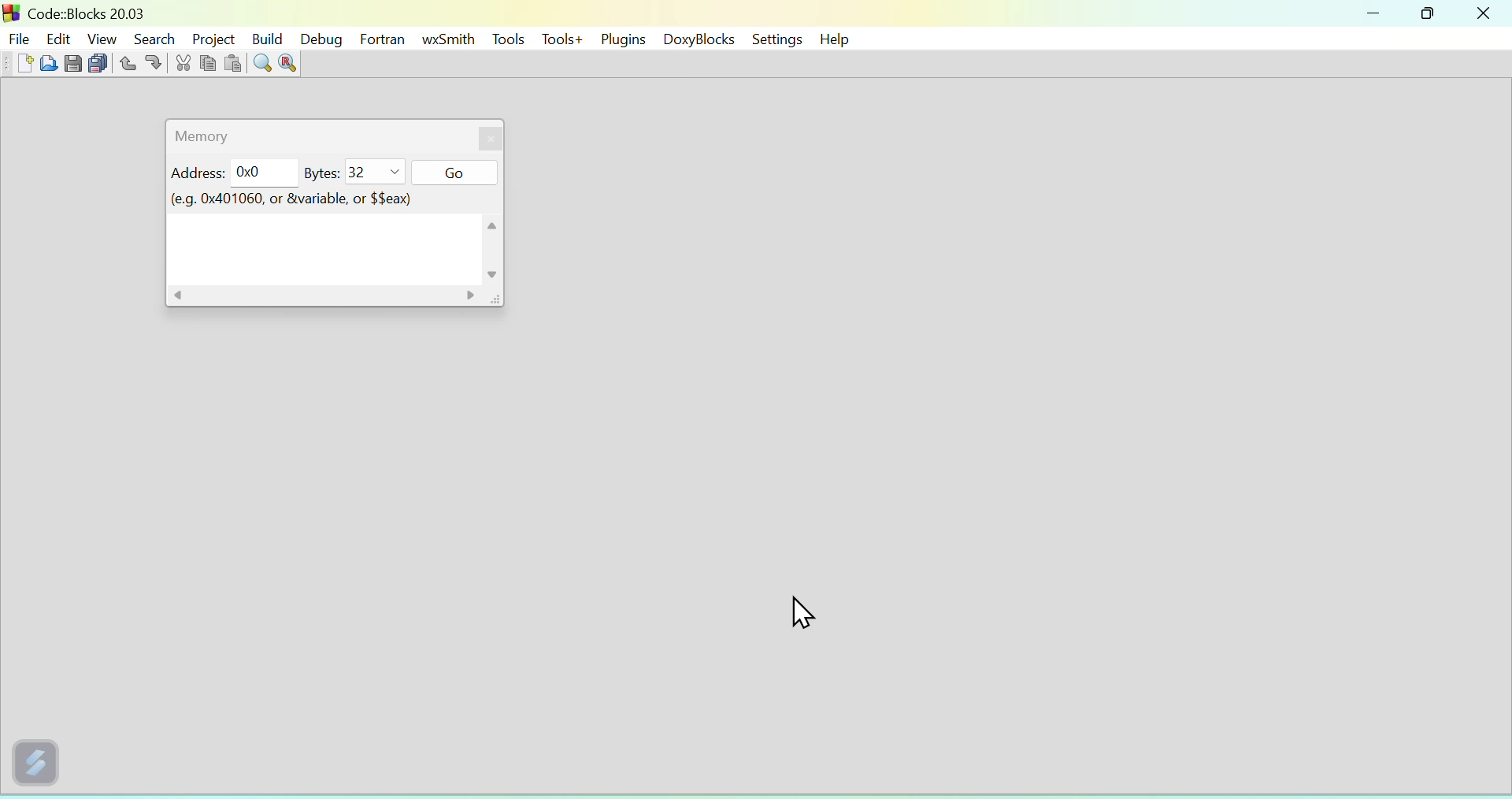 Image resolution: width=1512 pixels, height=799 pixels. I want to click on maximize, so click(1429, 13).